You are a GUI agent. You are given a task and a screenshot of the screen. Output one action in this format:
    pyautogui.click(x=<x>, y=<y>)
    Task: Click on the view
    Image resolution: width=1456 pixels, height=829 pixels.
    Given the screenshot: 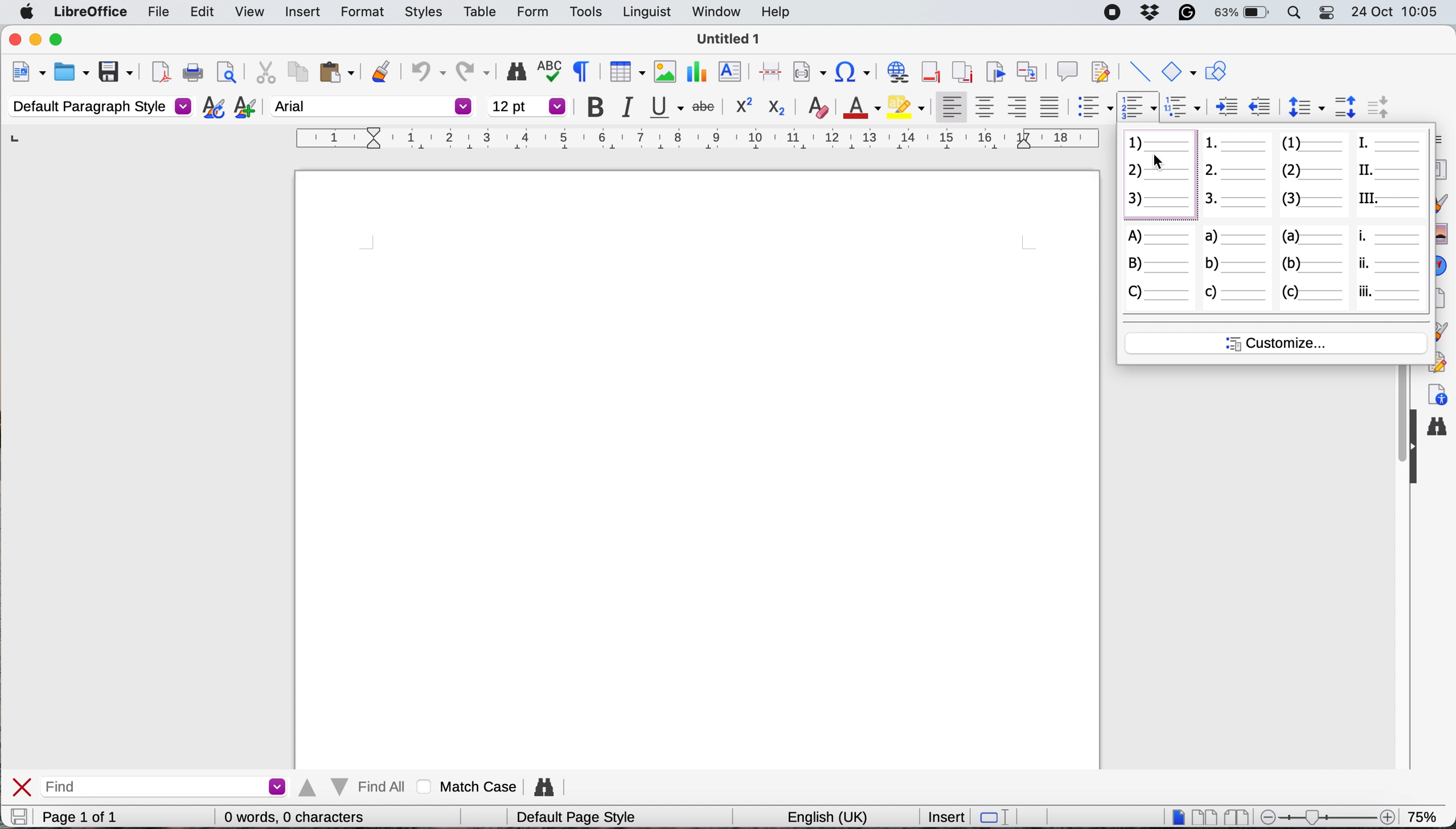 What is the action you would take?
    pyautogui.click(x=249, y=14)
    